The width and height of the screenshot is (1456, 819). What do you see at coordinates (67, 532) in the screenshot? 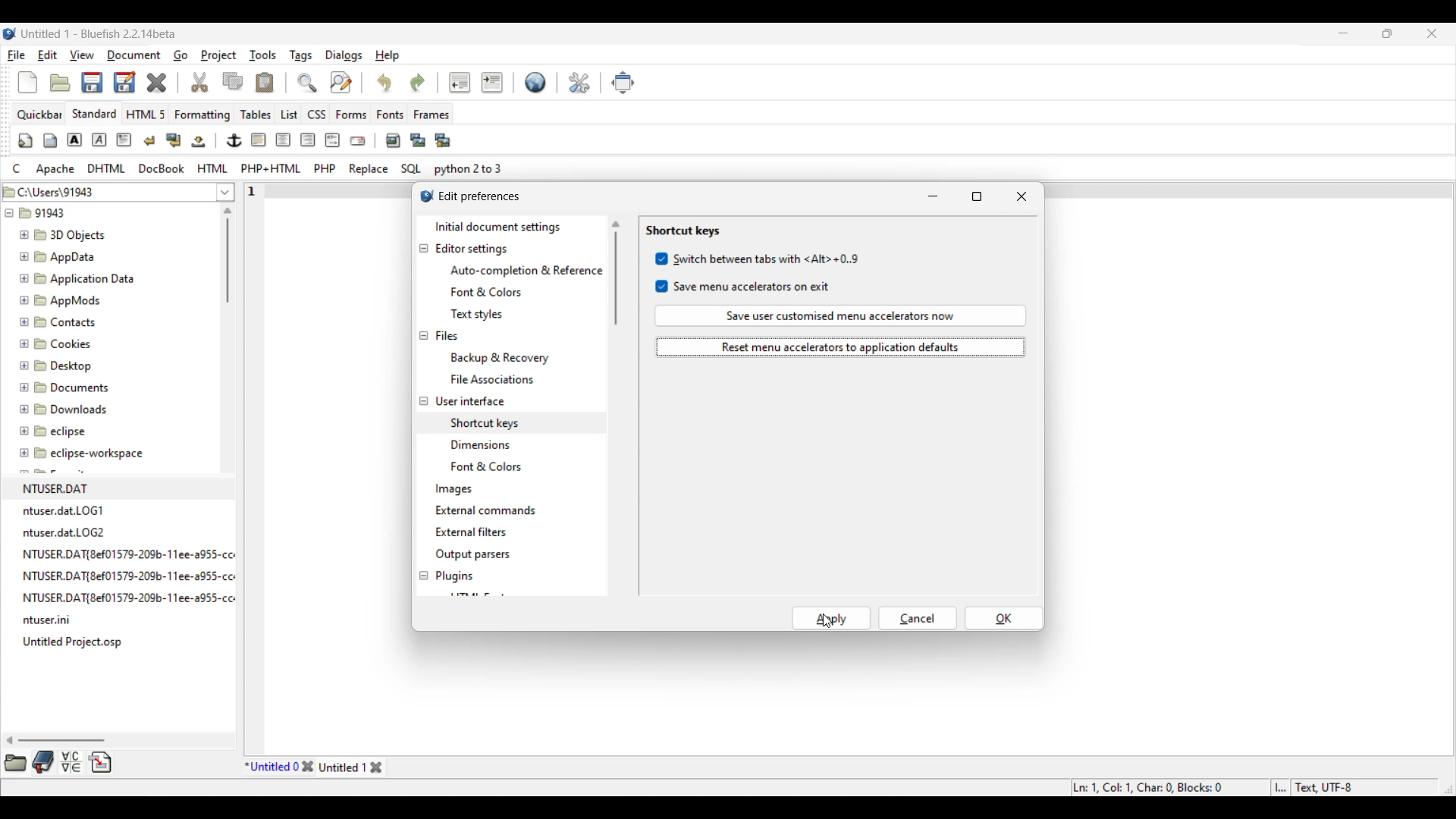
I see `ntuser.dat.LOG2` at bounding box center [67, 532].